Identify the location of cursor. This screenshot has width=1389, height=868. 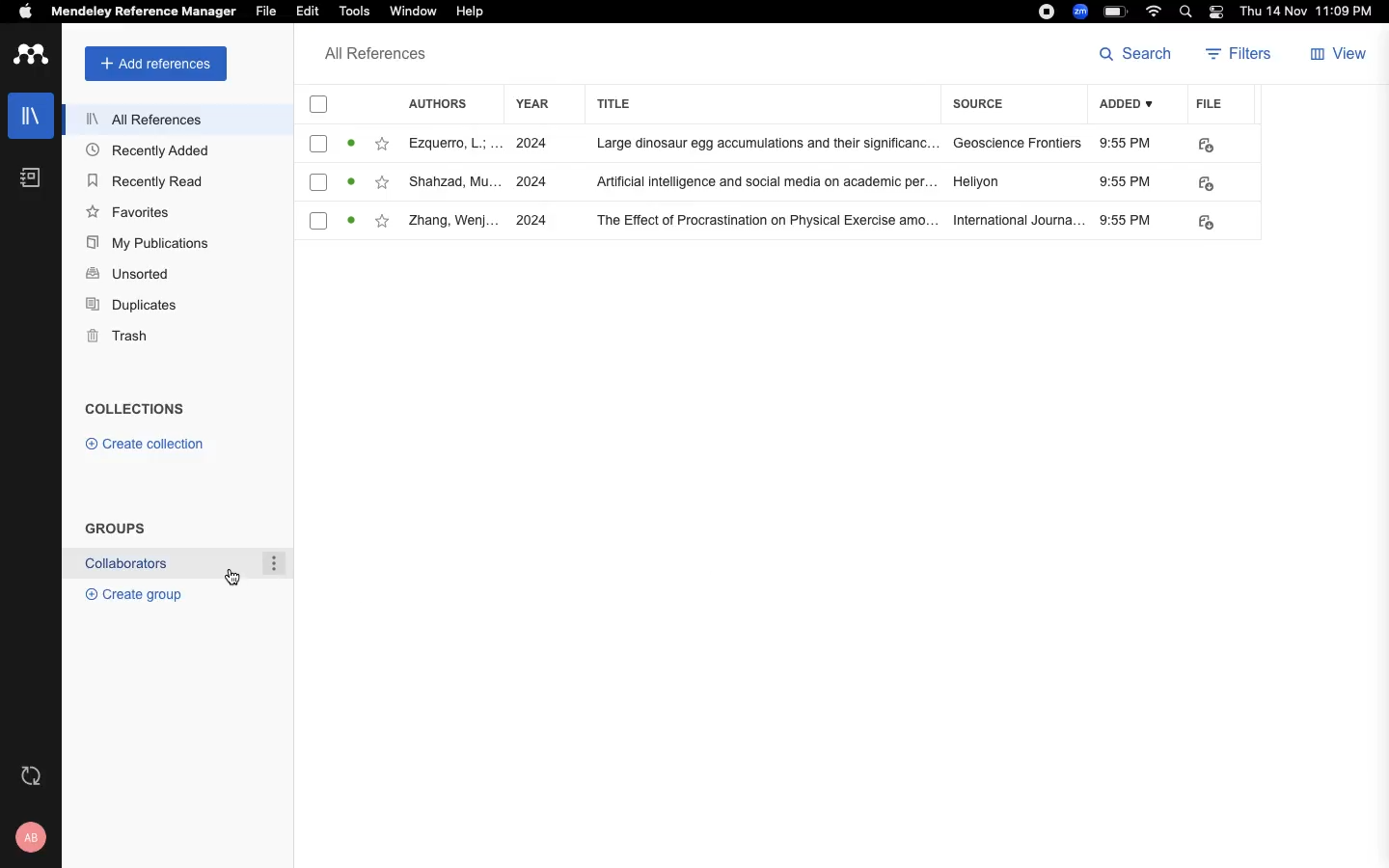
(228, 580).